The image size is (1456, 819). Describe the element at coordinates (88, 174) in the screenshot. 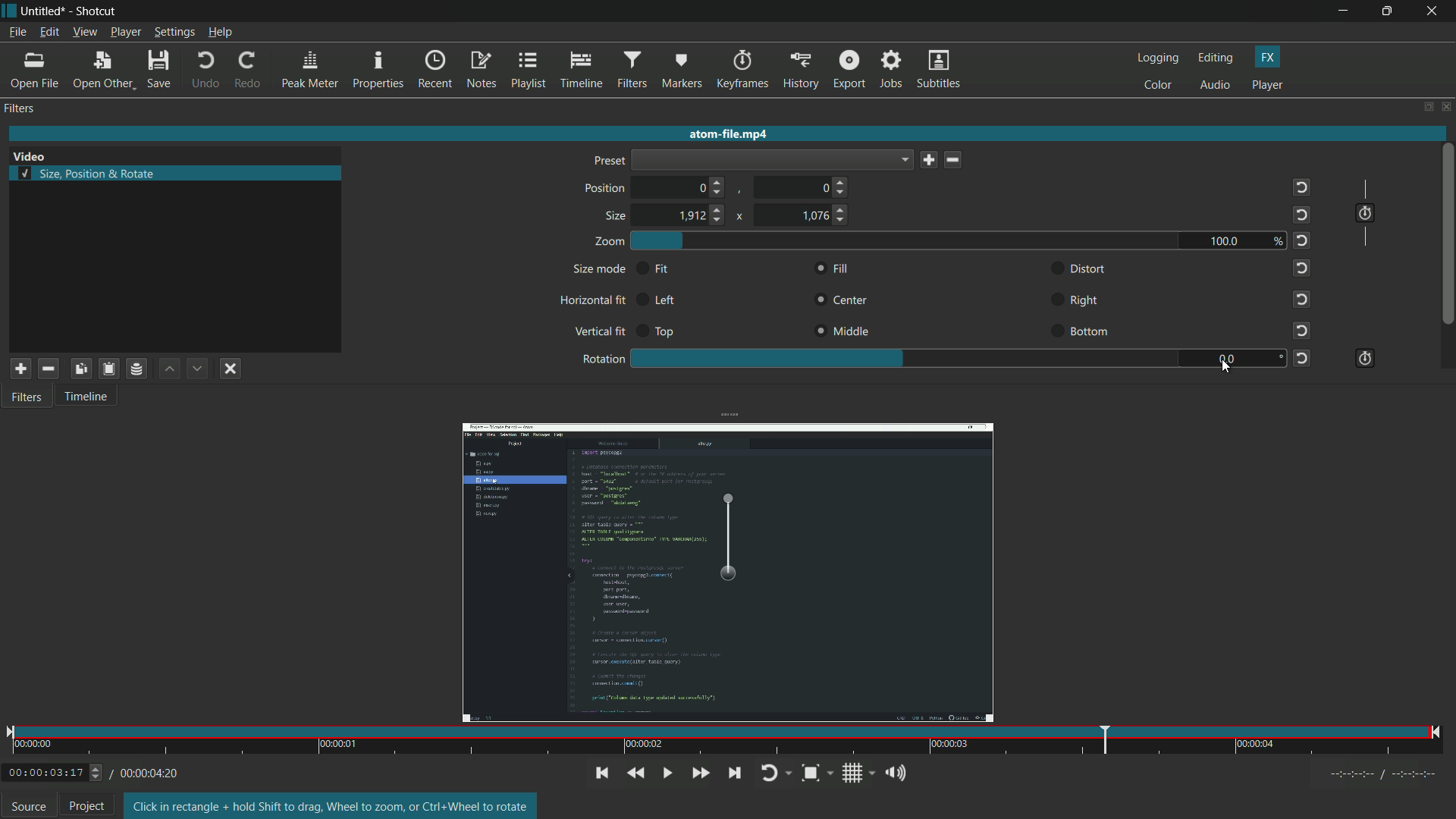

I see `size, position and rotate` at that location.